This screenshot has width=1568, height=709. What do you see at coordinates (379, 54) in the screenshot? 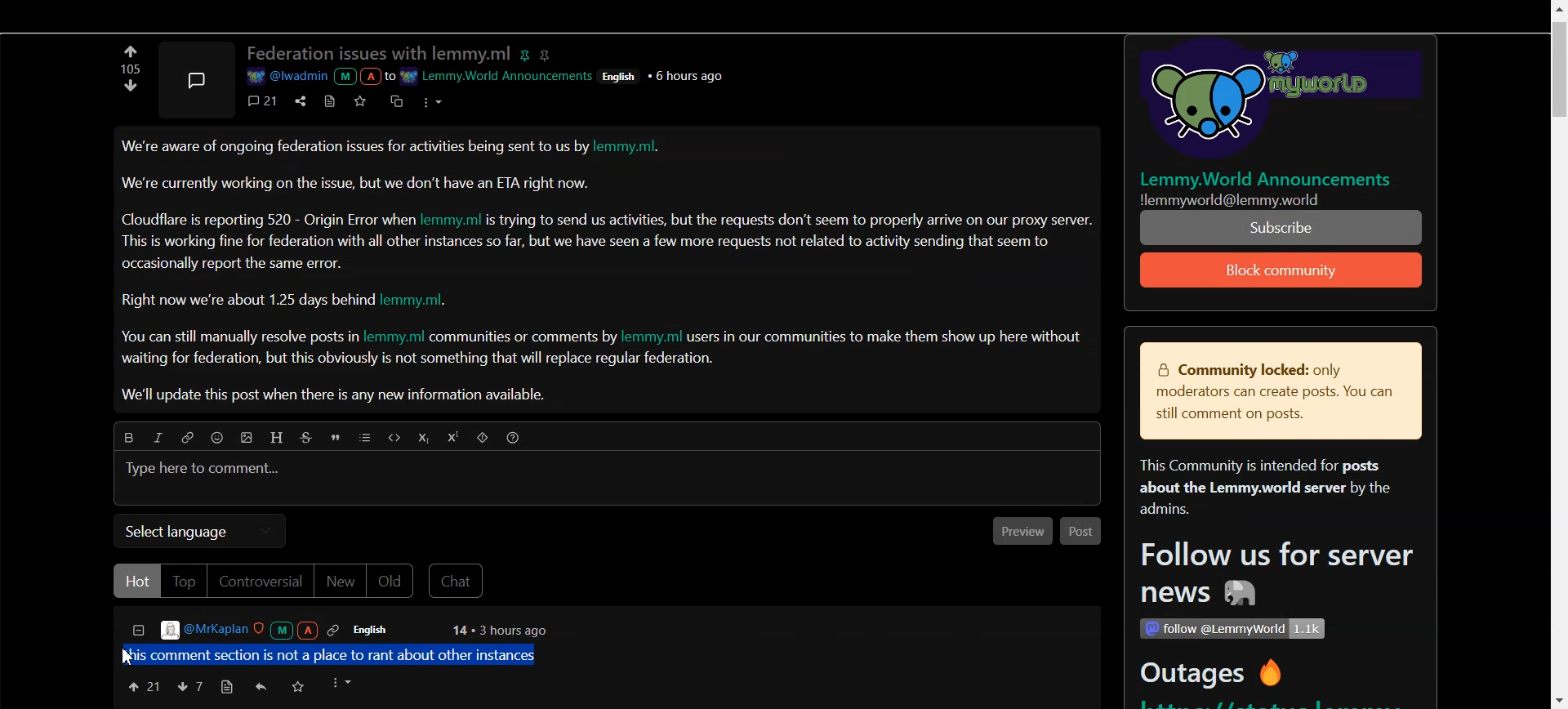
I see `Federation issues with lemmy.ml` at bounding box center [379, 54].